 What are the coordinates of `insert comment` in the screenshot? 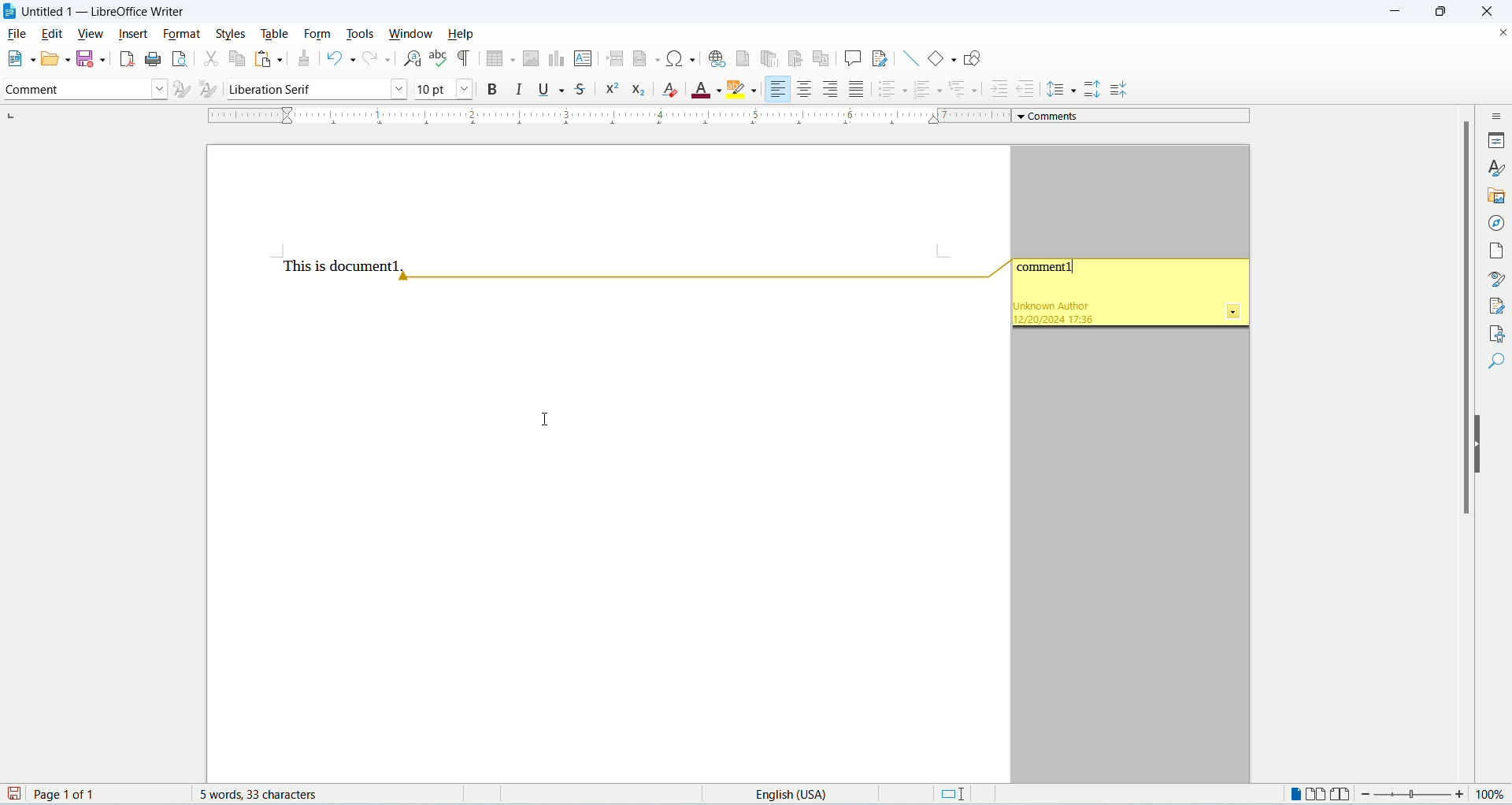 It's located at (853, 58).